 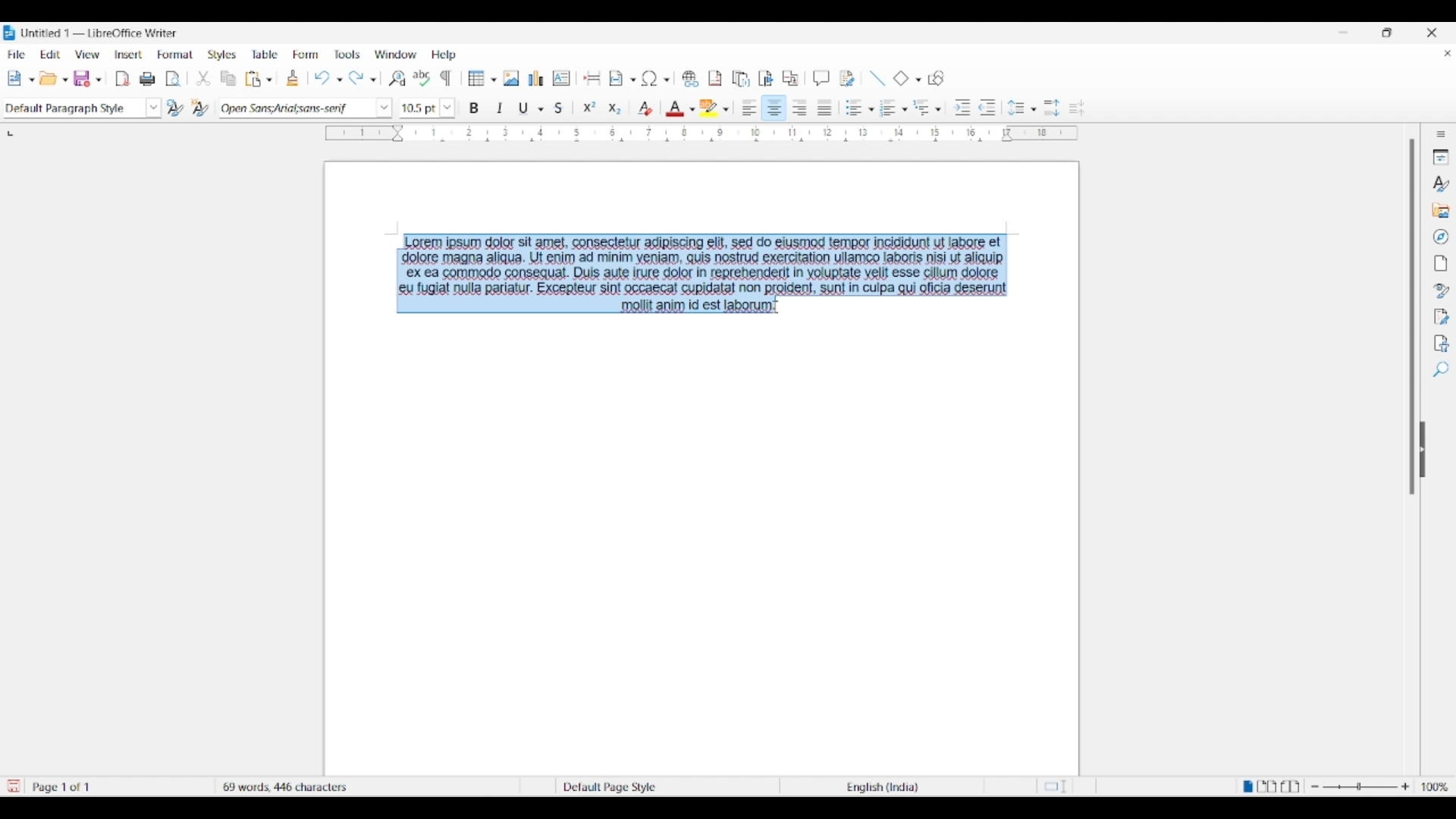 What do you see at coordinates (1360, 786) in the screenshot?
I see `Slider to Zoom in/out` at bounding box center [1360, 786].